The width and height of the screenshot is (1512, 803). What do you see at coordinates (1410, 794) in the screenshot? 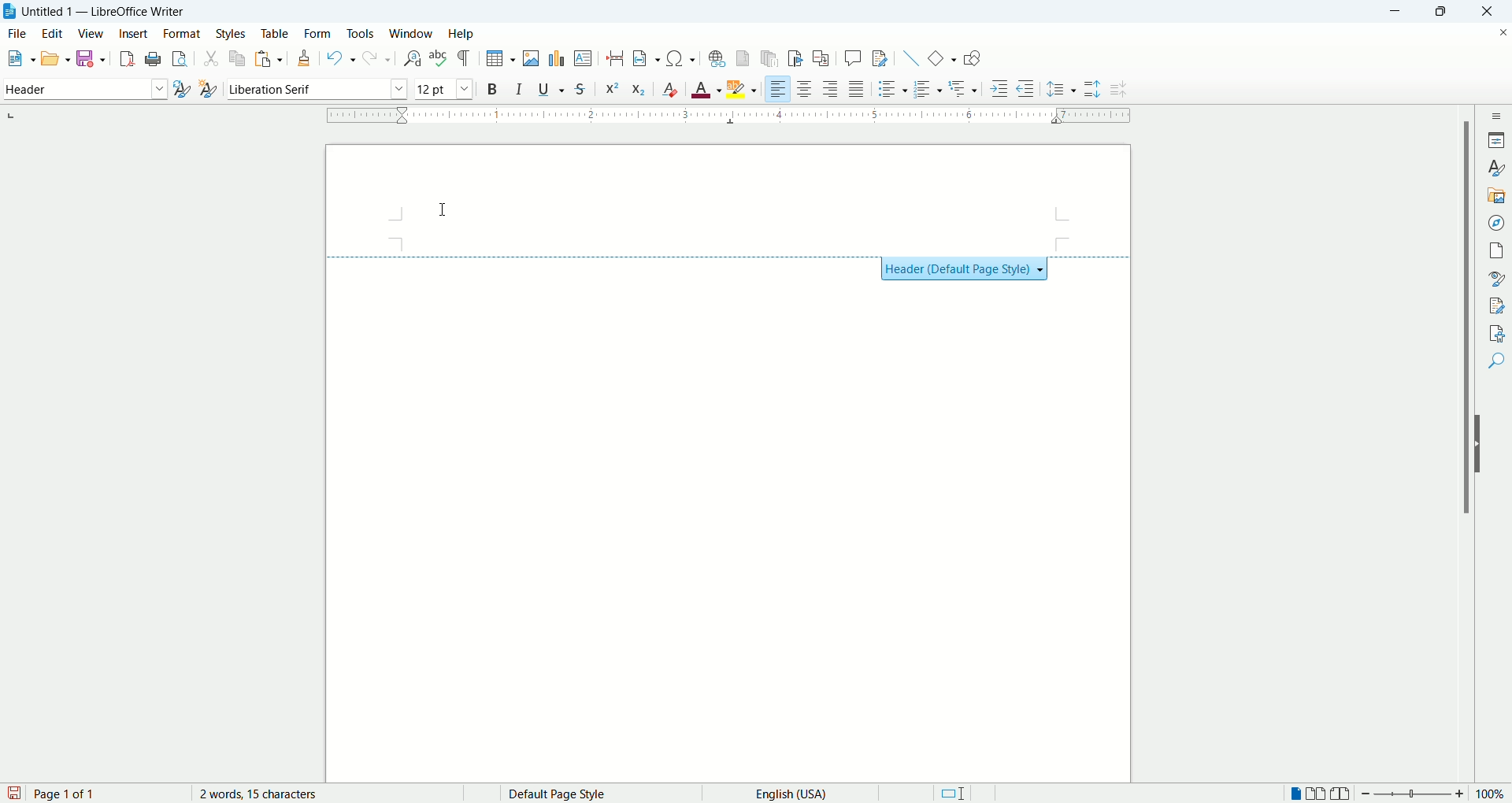
I see `zoom bar` at bounding box center [1410, 794].